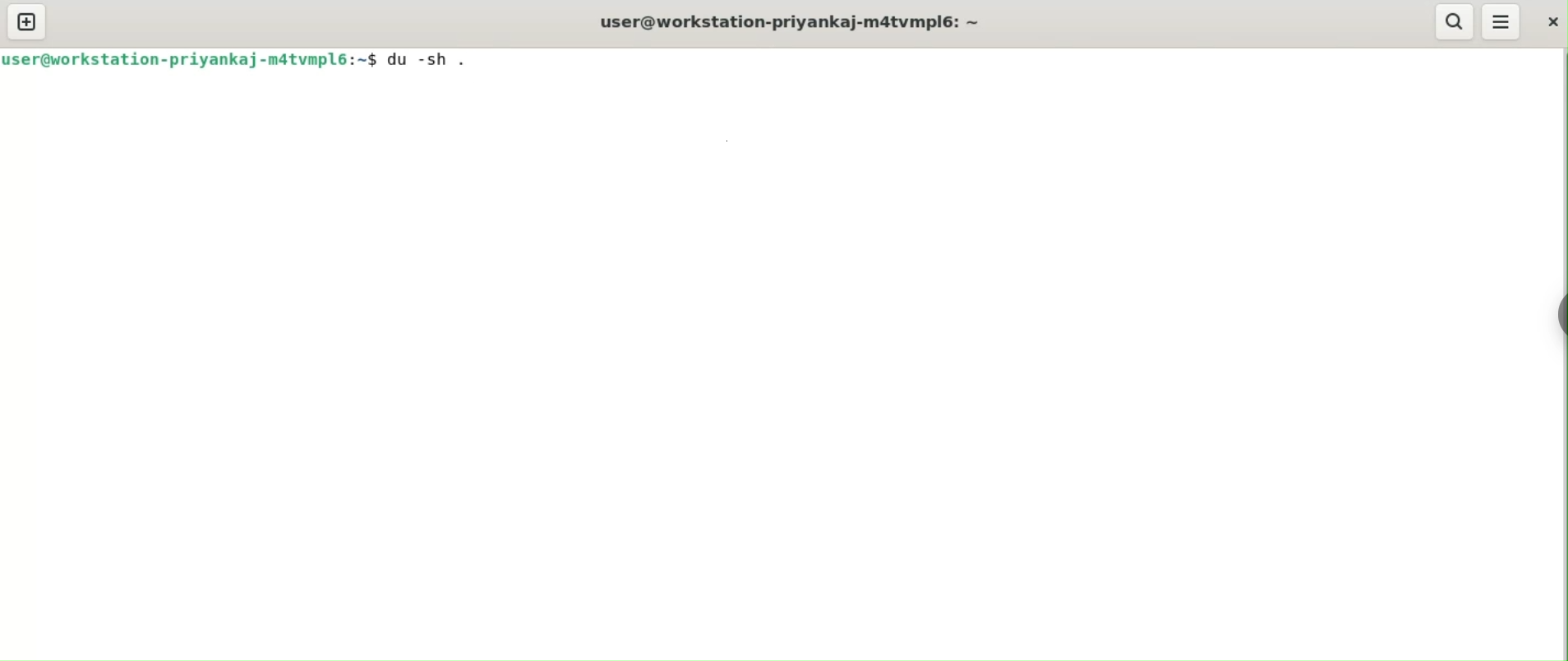 This screenshot has width=1568, height=661. I want to click on search, so click(1455, 21).